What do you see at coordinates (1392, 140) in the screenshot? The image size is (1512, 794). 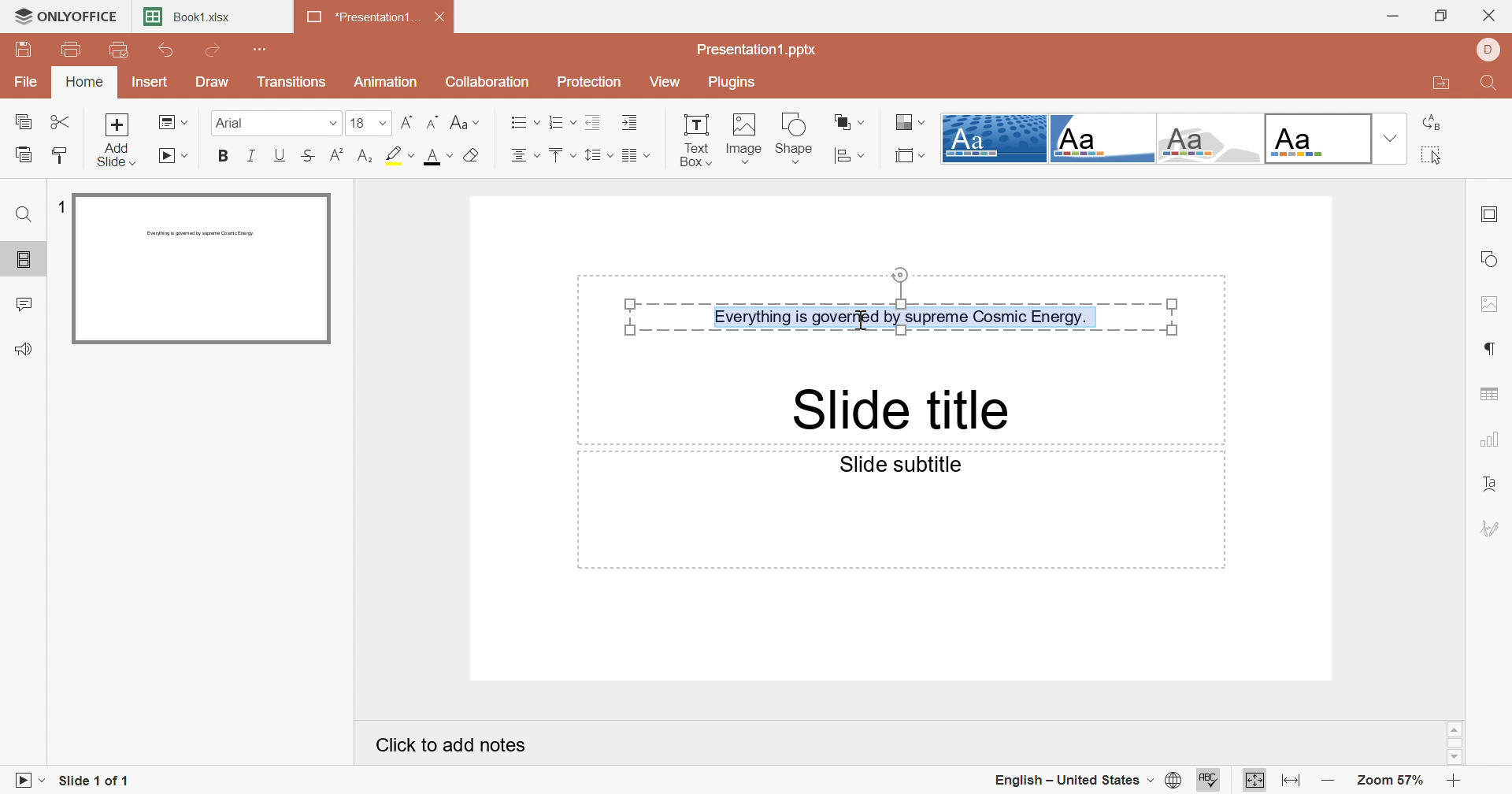 I see `Drop Down` at bounding box center [1392, 140].